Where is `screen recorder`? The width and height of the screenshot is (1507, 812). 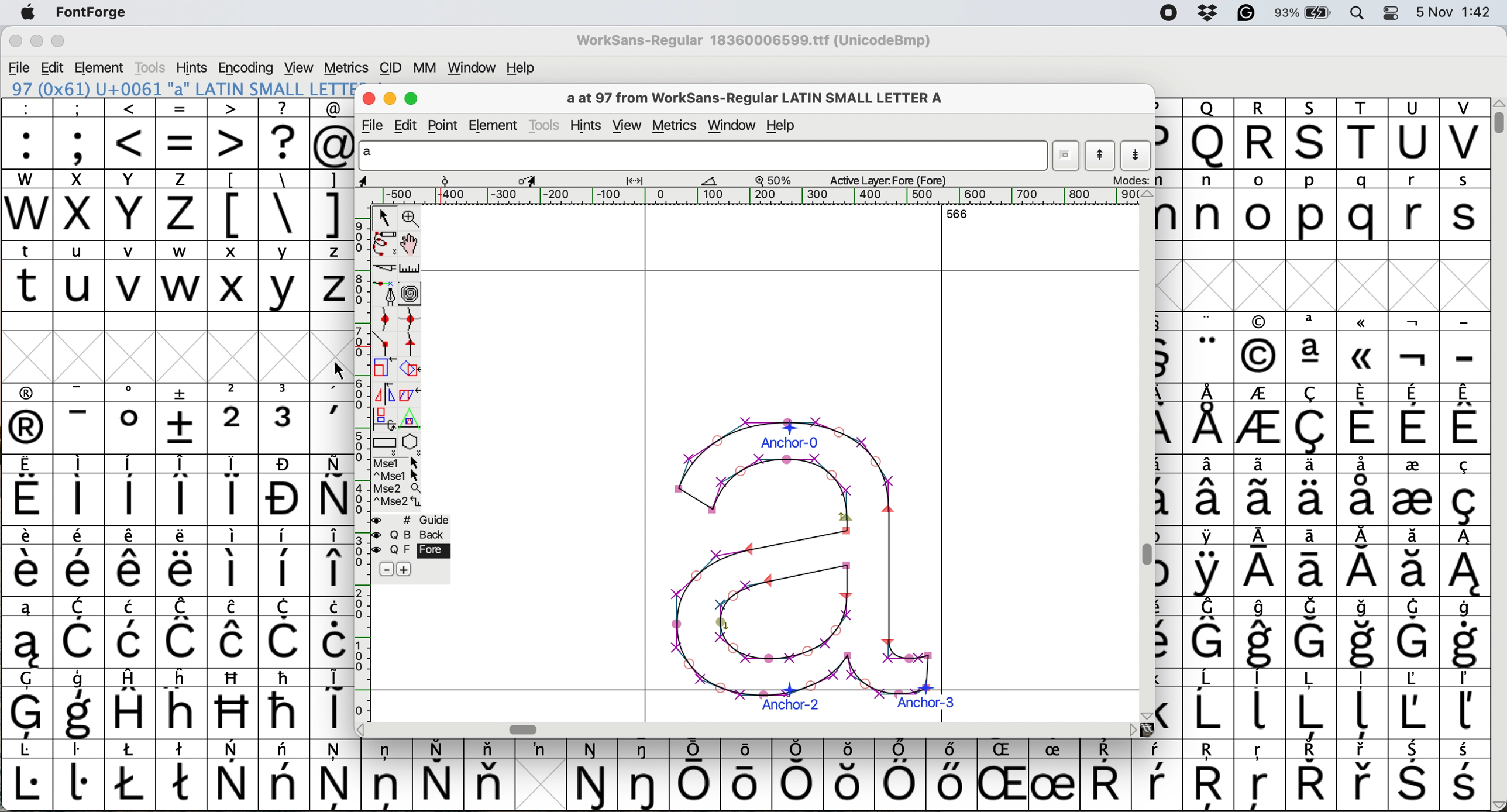
screen recorder is located at coordinates (1167, 14).